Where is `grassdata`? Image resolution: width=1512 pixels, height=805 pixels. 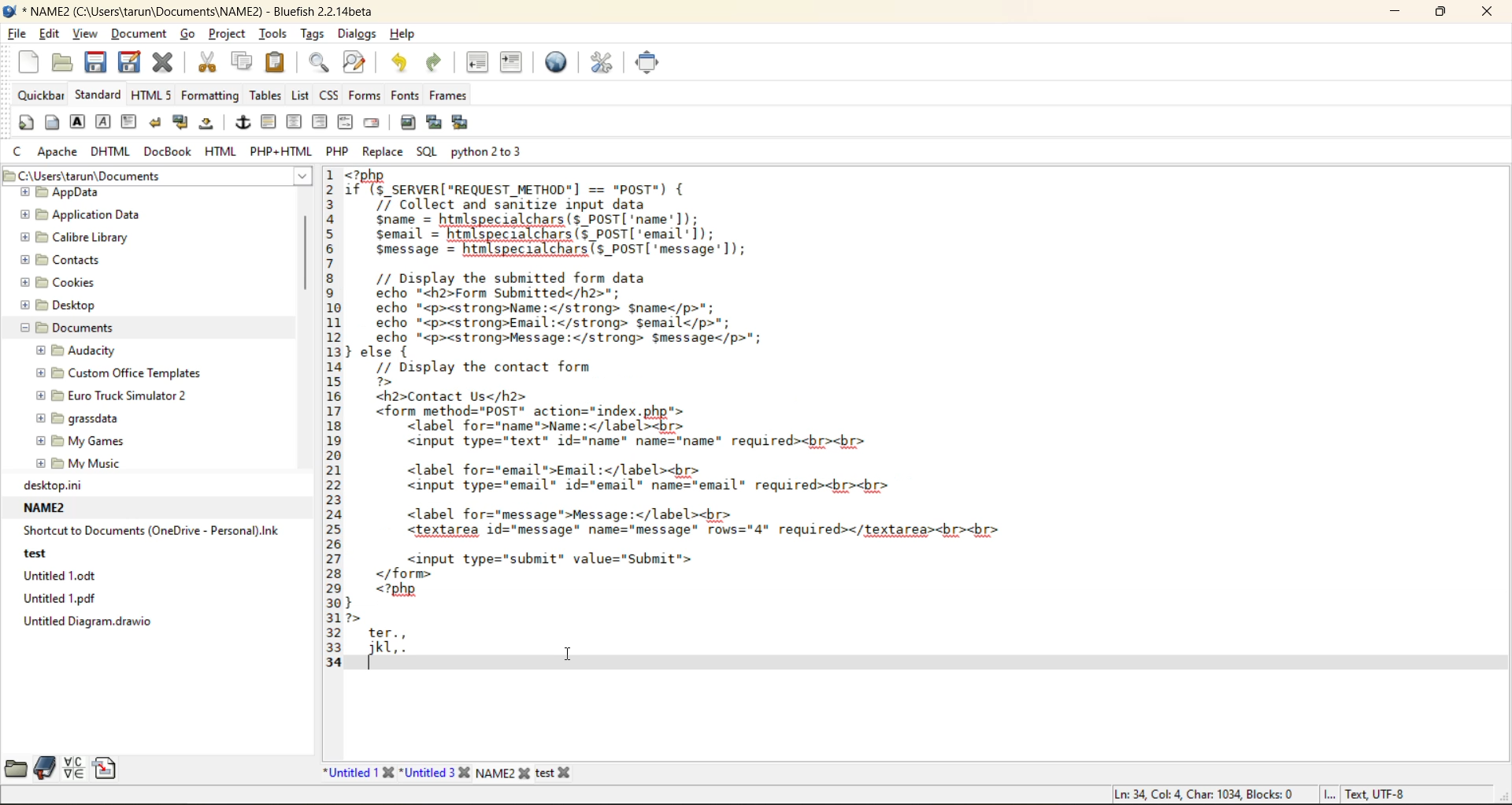
grassdata is located at coordinates (77, 421).